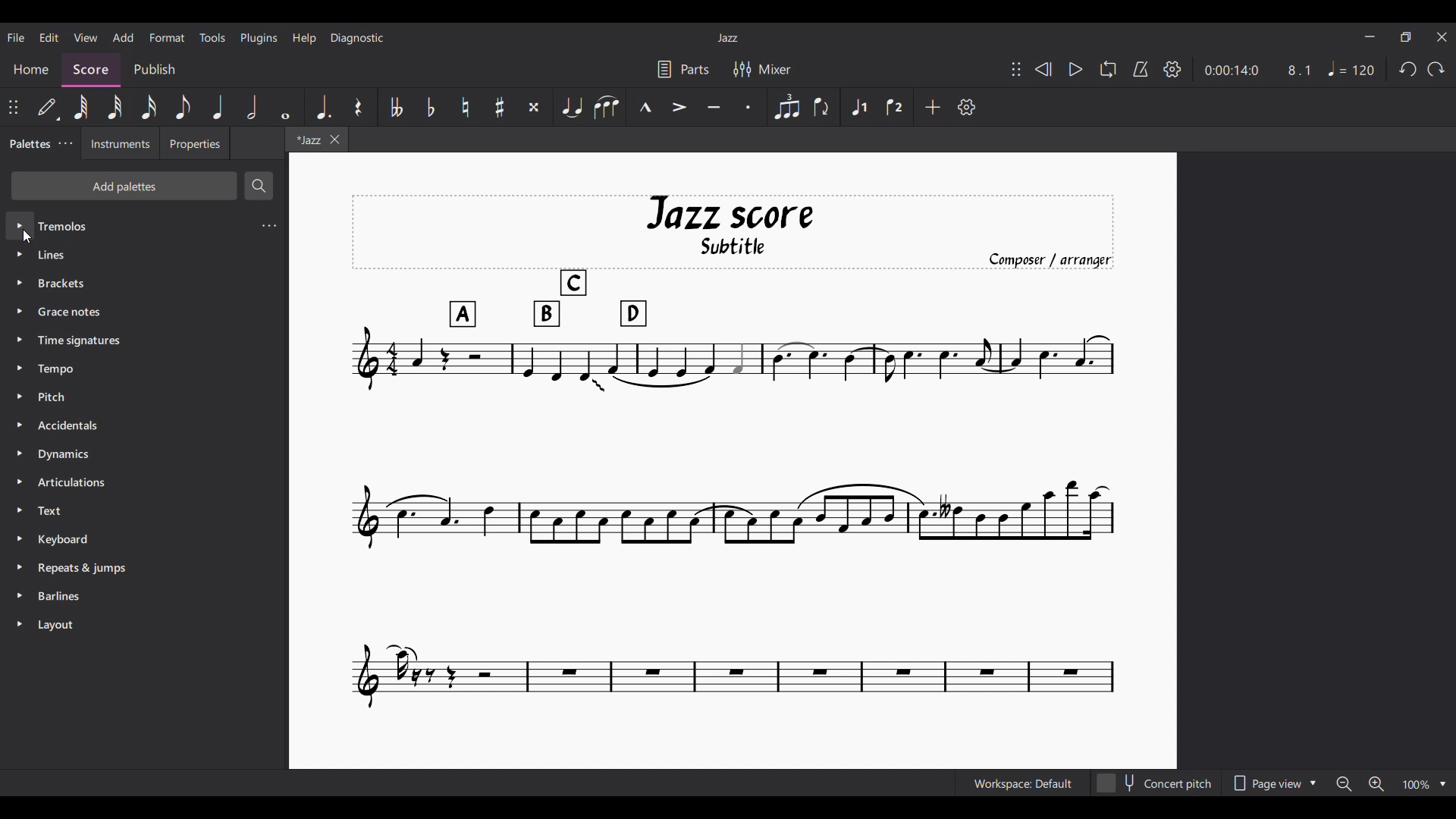 This screenshot has width=1456, height=819. Describe the element at coordinates (357, 39) in the screenshot. I see `Diagnostic` at that location.